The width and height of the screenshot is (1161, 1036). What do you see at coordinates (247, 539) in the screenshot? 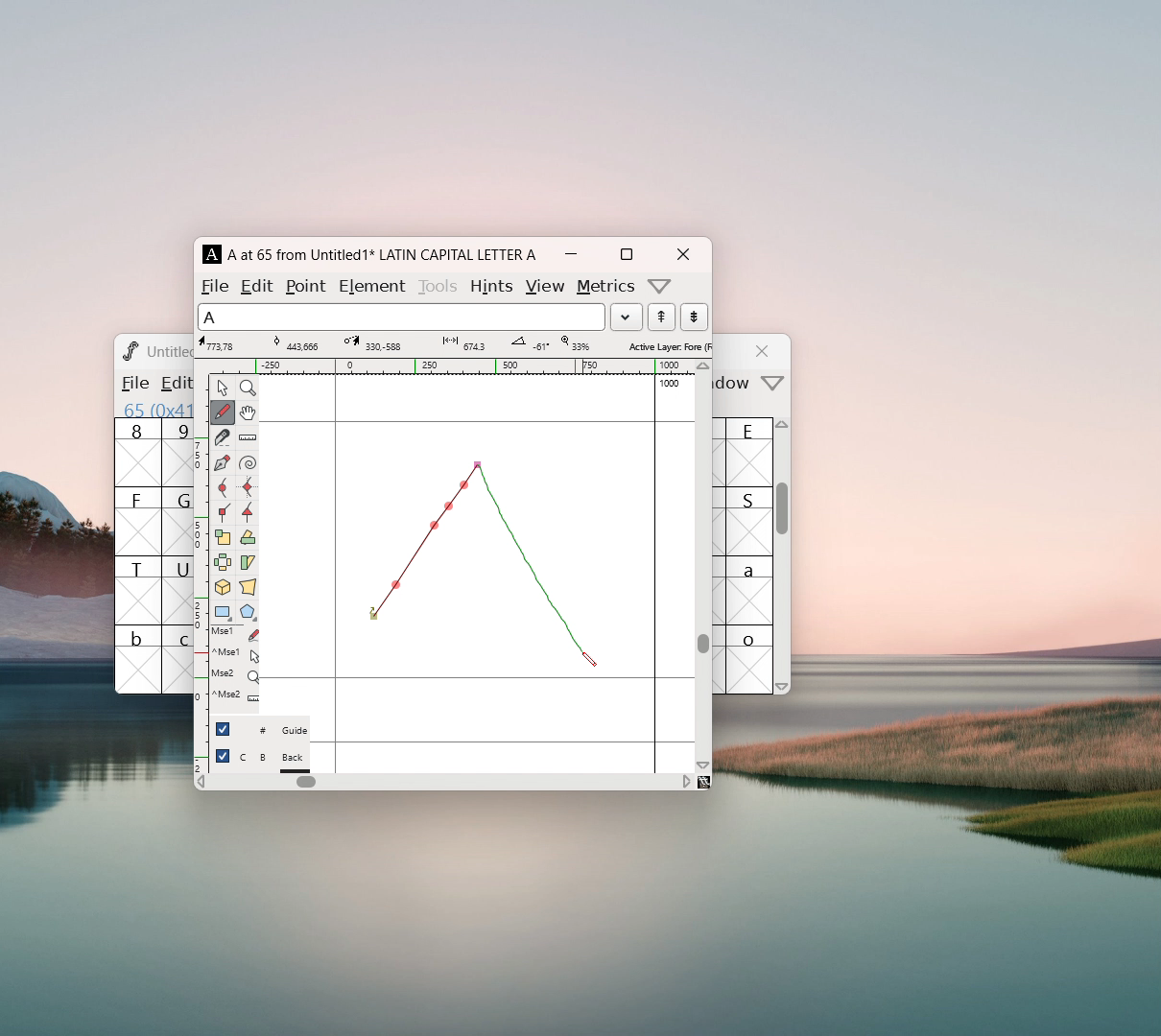
I see `rotate the selection` at bounding box center [247, 539].